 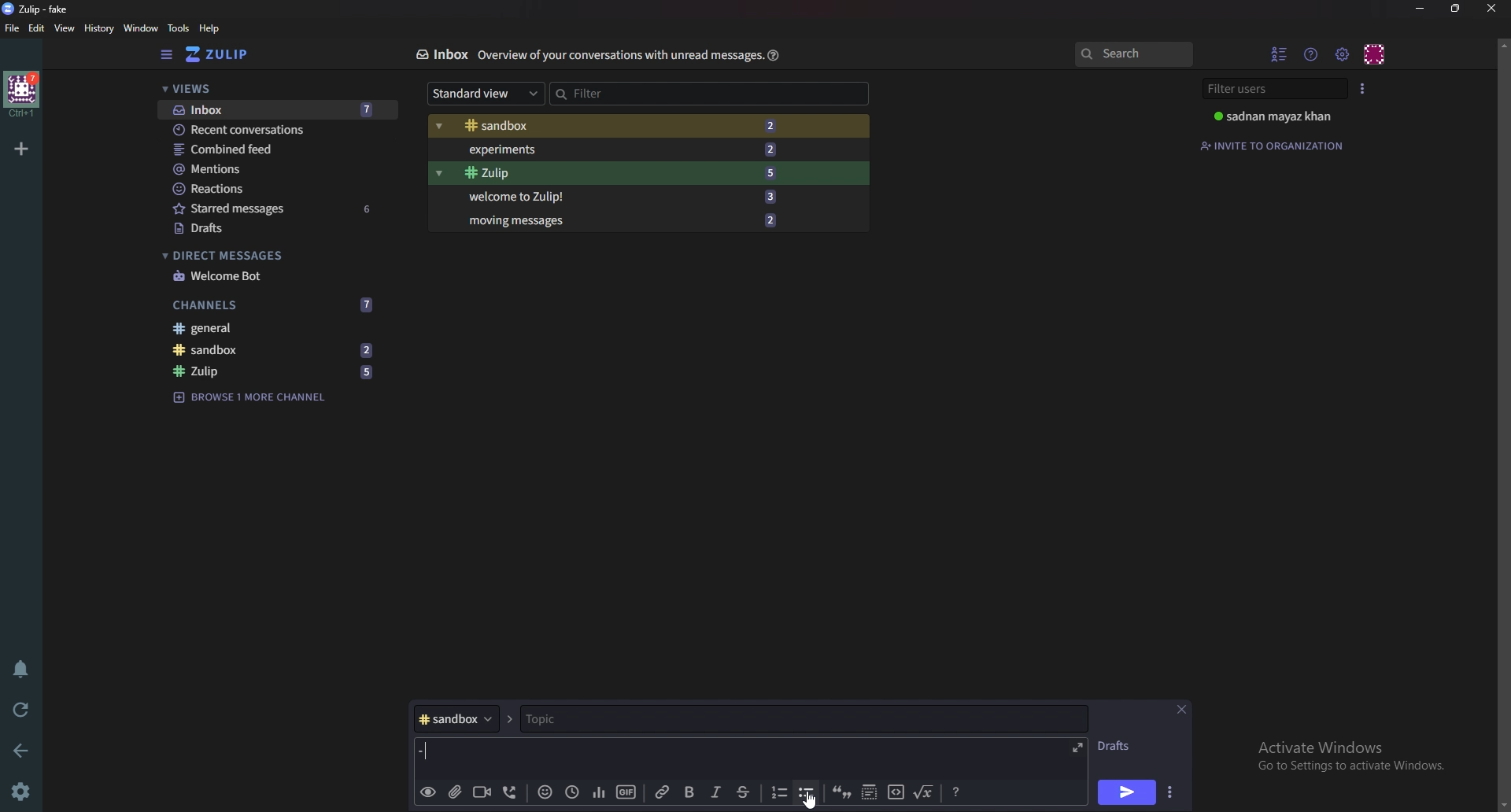 What do you see at coordinates (959, 790) in the screenshot?
I see `Message formatting` at bounding box center [959, 790].